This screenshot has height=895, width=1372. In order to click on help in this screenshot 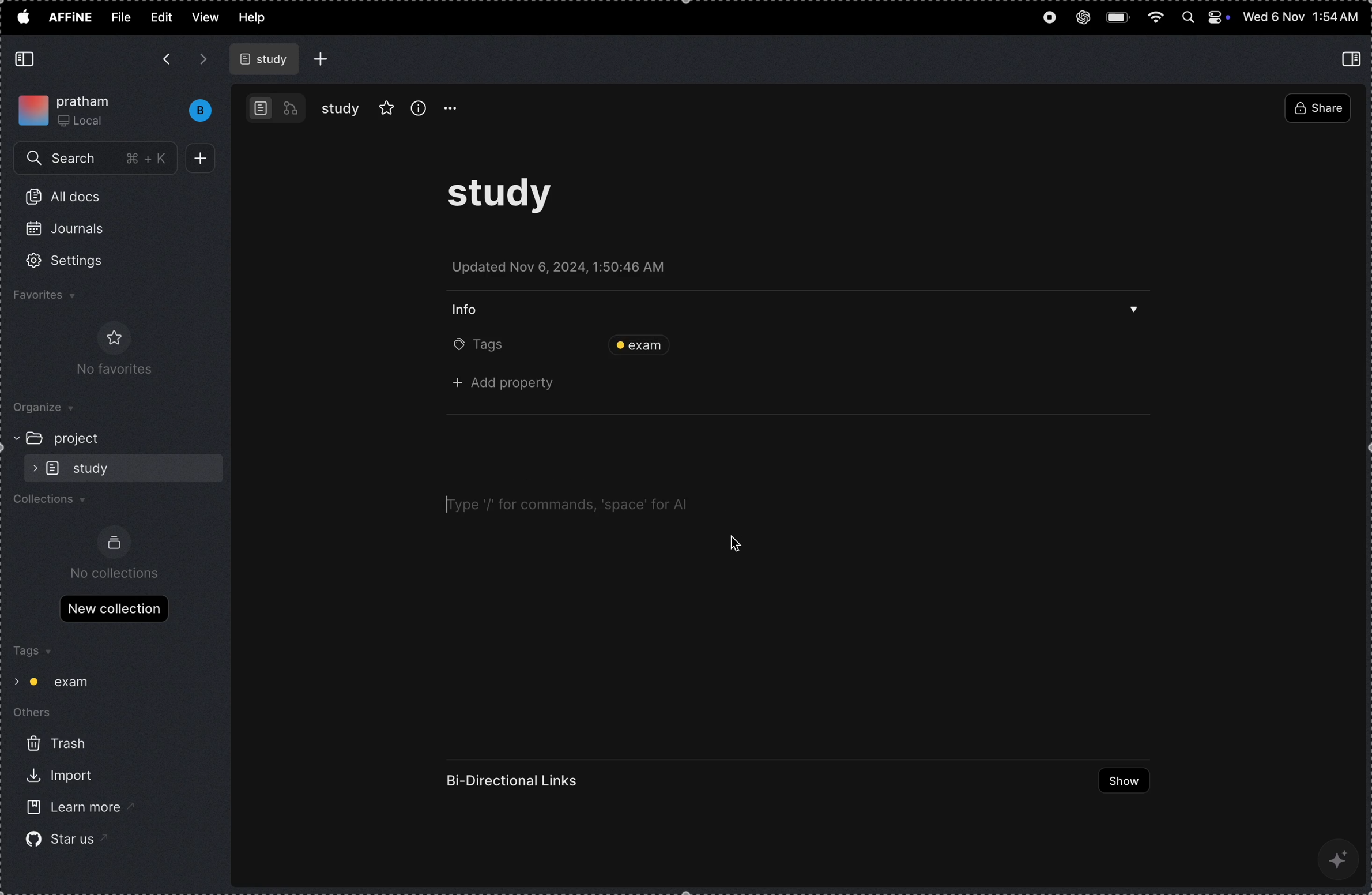, I will do `click(258, 18)`.